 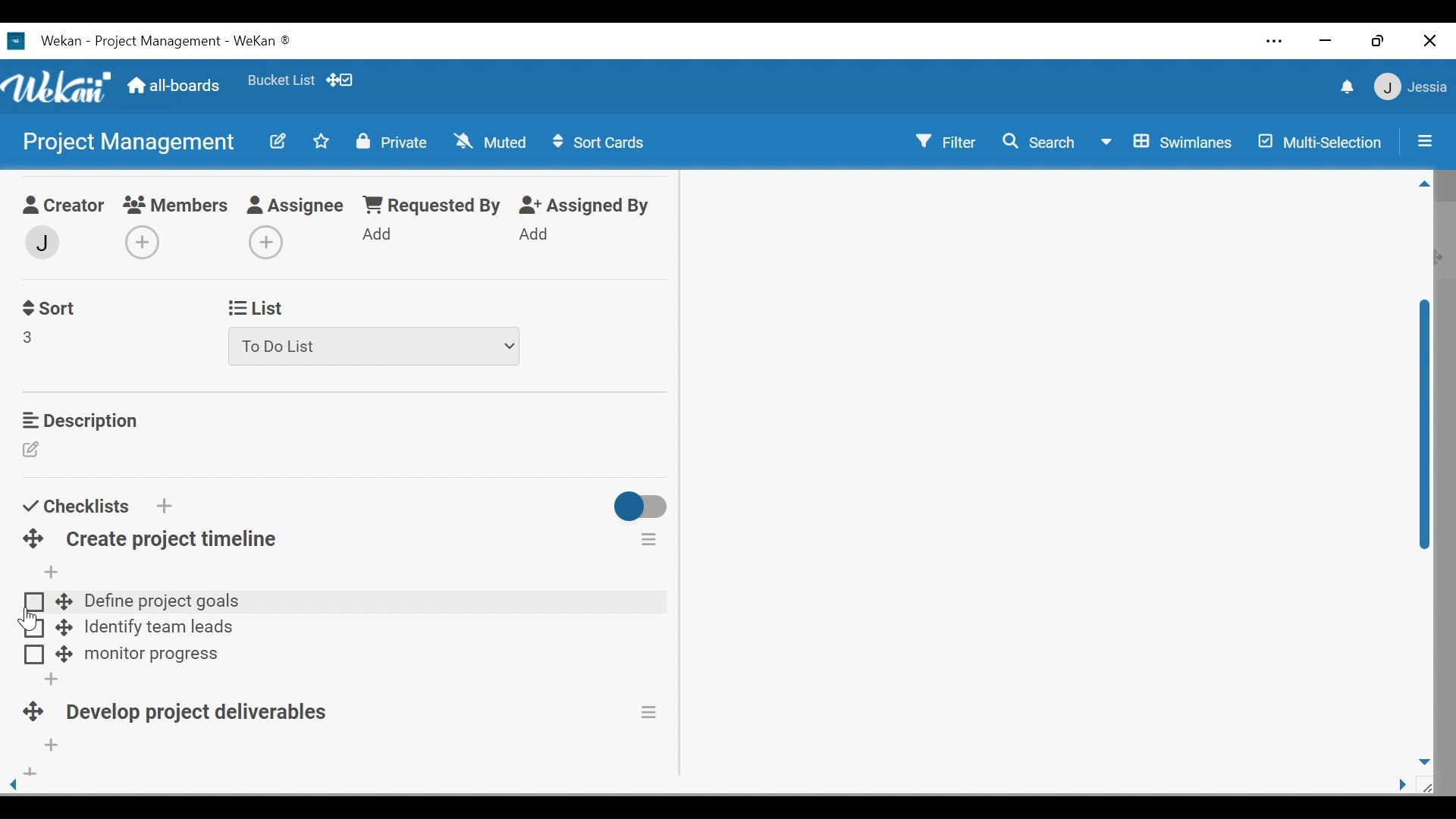 I want to click on Requested by, so click(x=430, y=206).